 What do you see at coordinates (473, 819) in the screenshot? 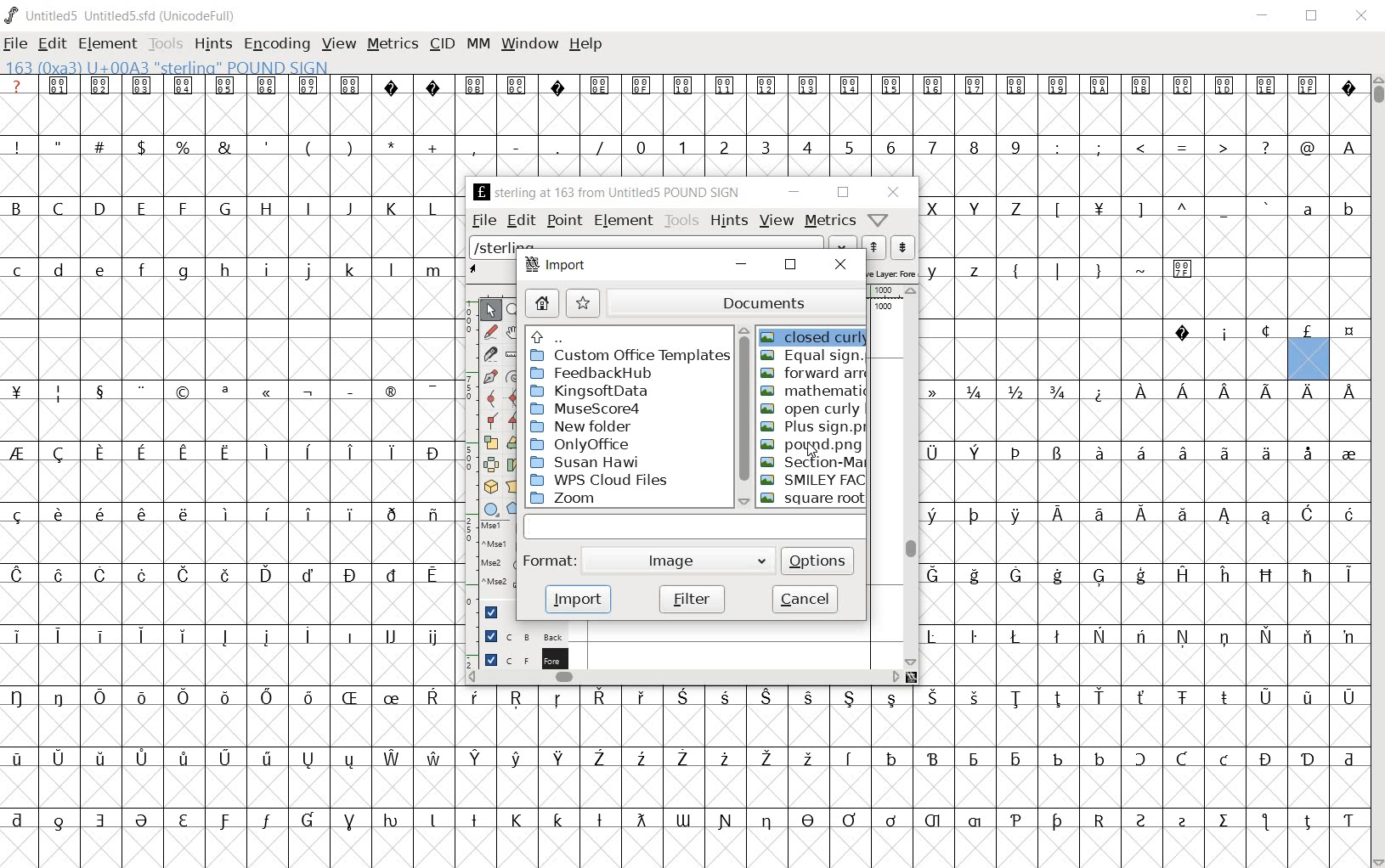
I see `Symbol` at bounding box center [473, 819].